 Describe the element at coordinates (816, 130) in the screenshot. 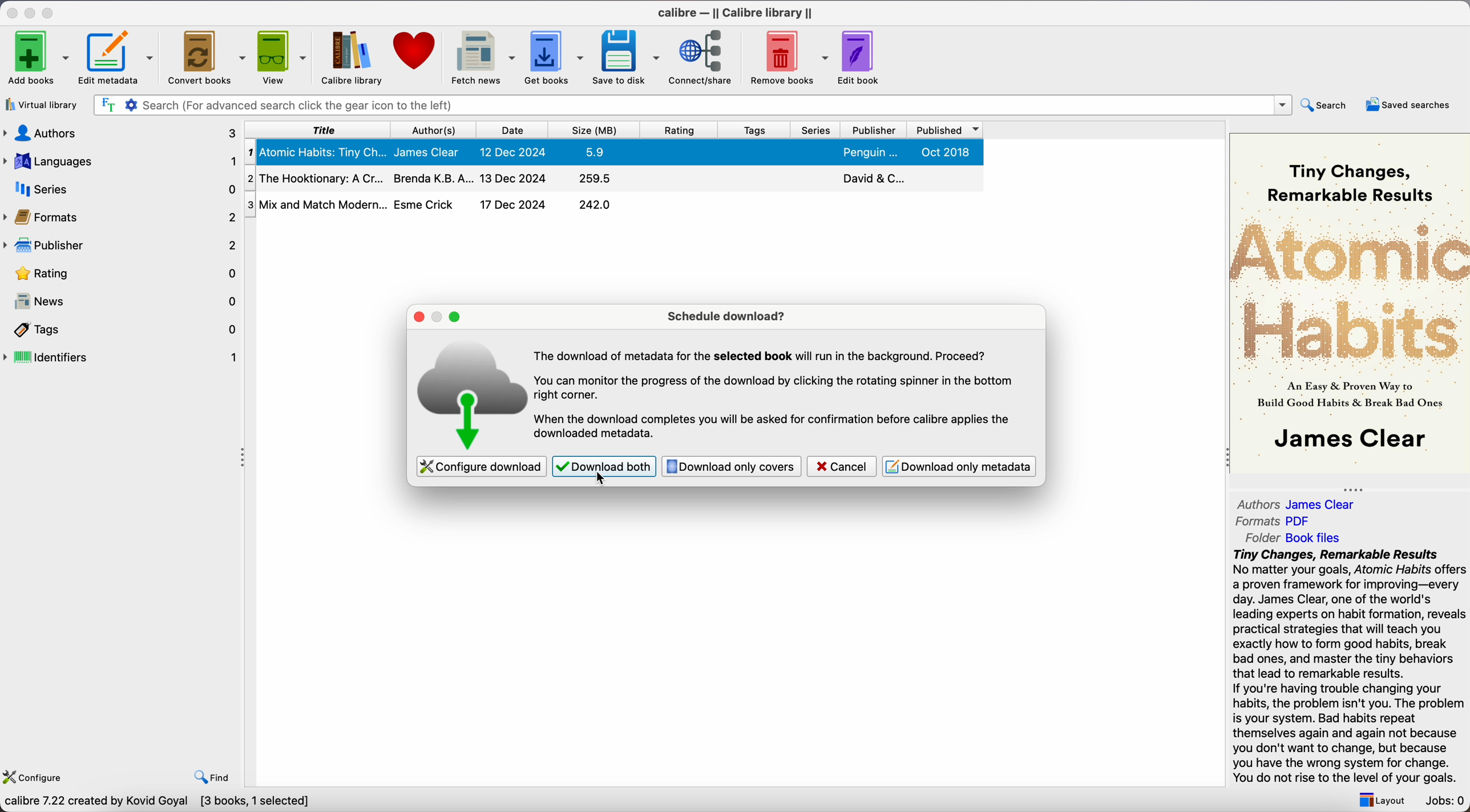

I see `series` at that location.